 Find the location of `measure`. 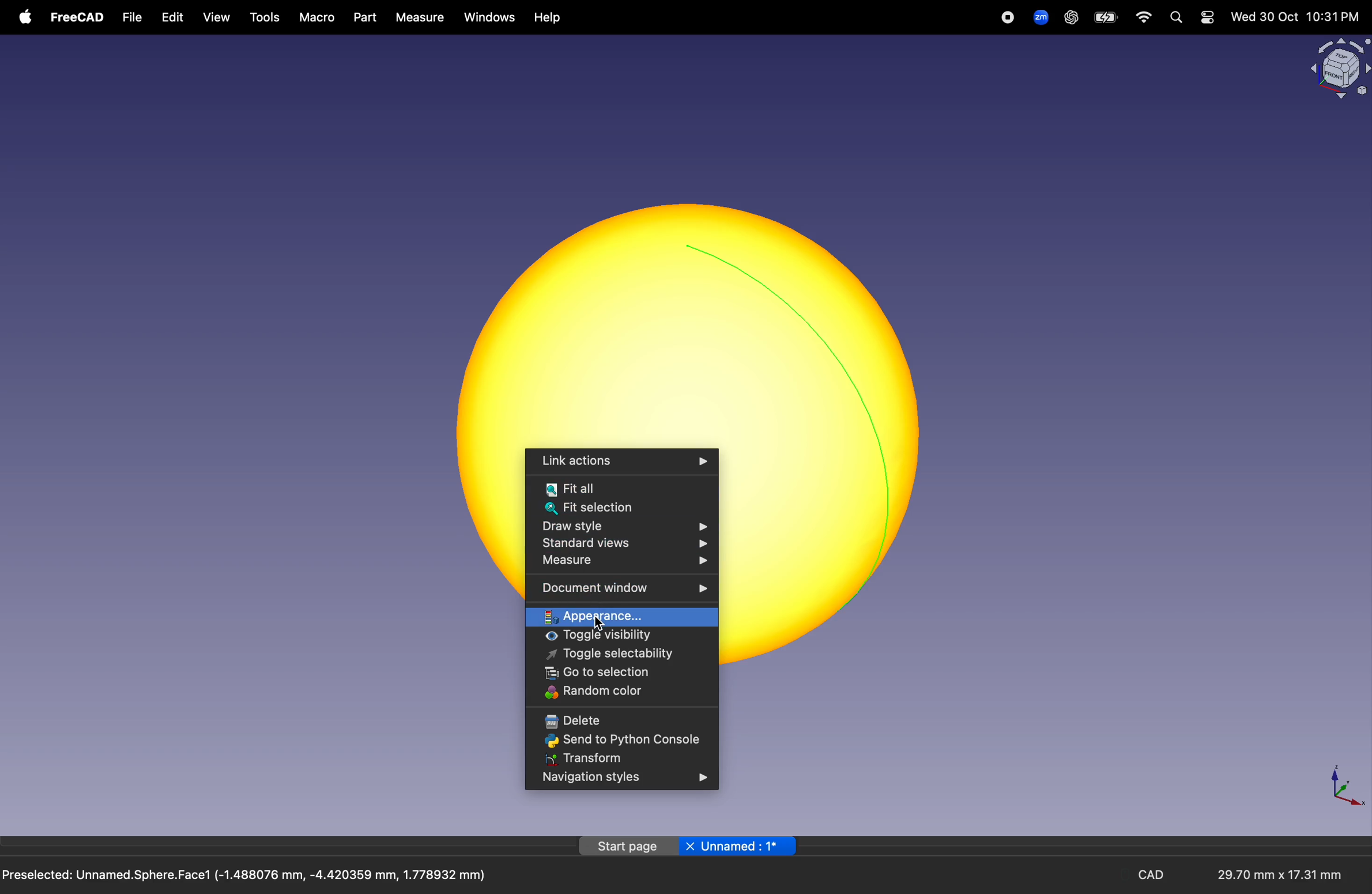

measure is located at coordinates (418, 17).